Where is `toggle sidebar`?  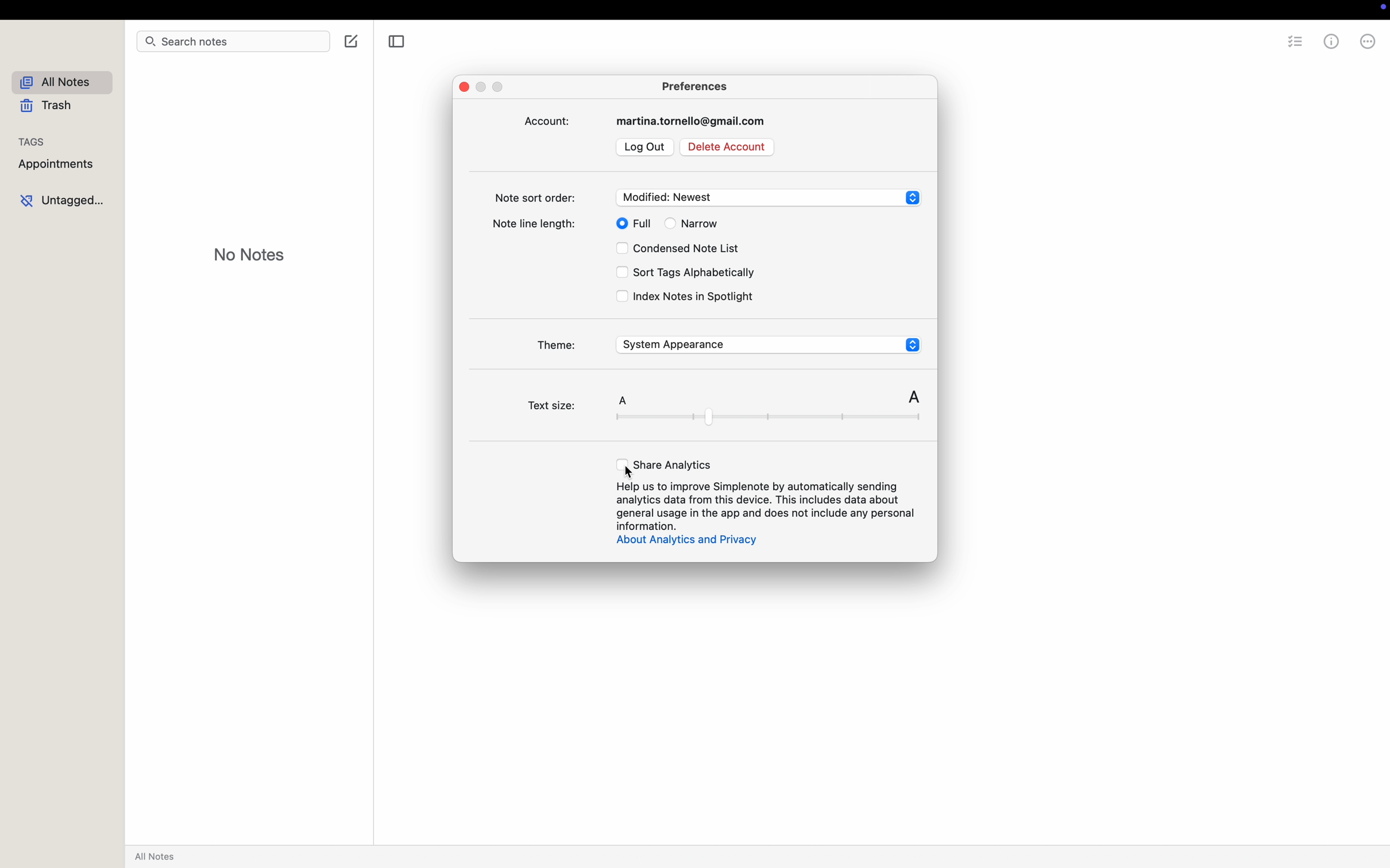 toggle sidebar is located at coordinates (397, 44).